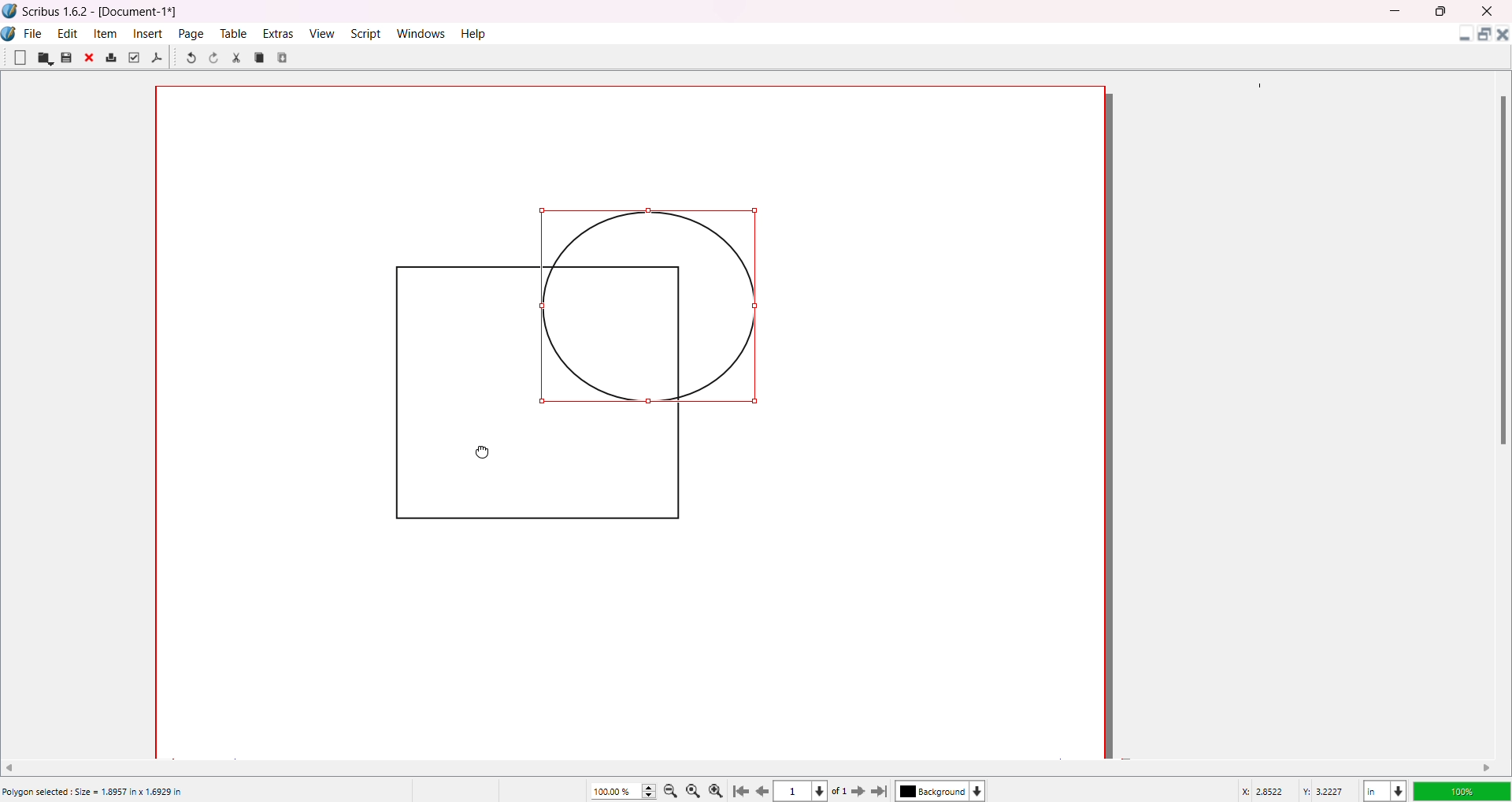 This screenshot has width=1512, height=802. Describe the element at coordinates (45, 58) in the screenshot. I see `Open` at that location.